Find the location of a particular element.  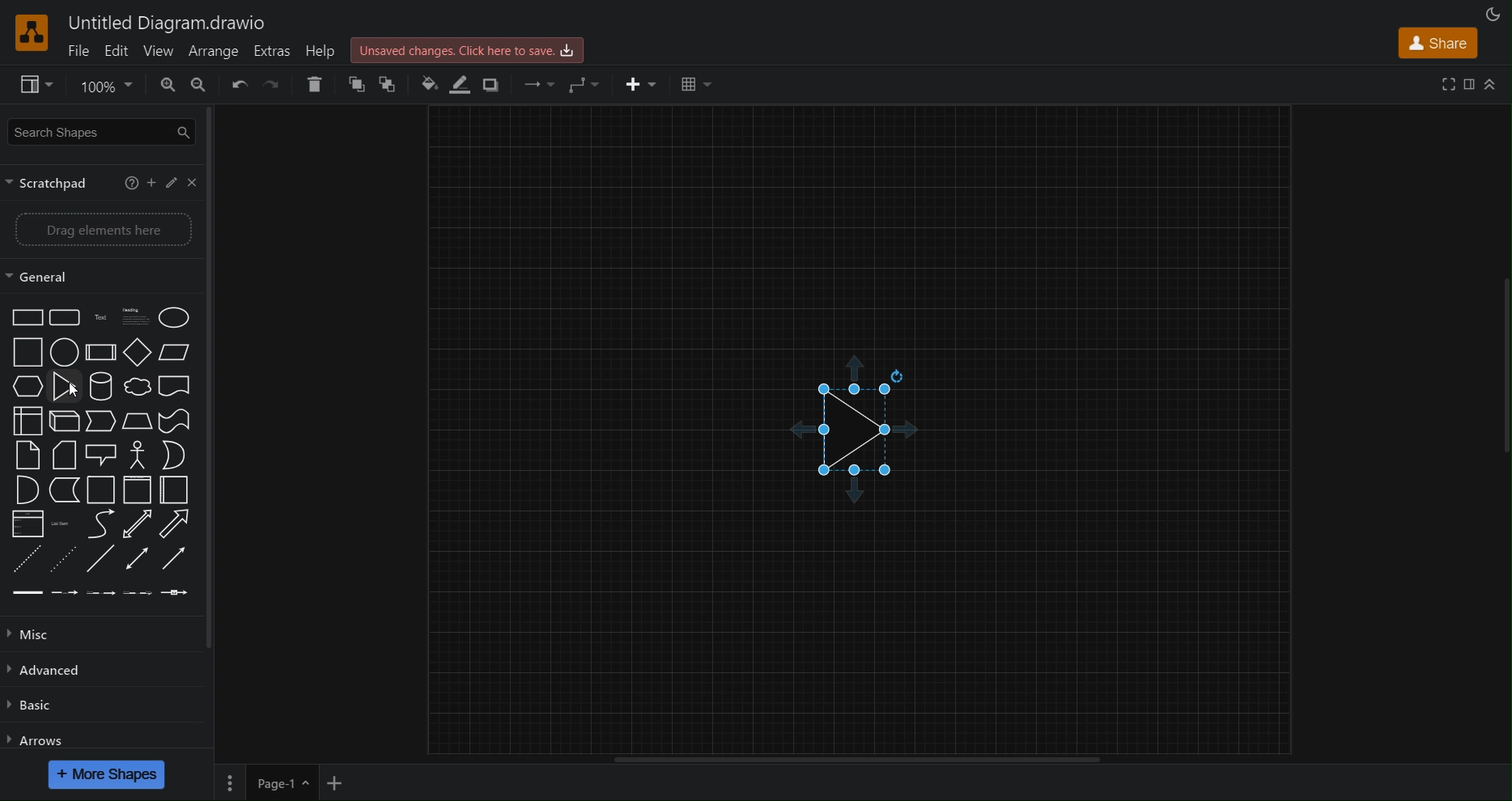

Table is located at coordinates (699, 82).